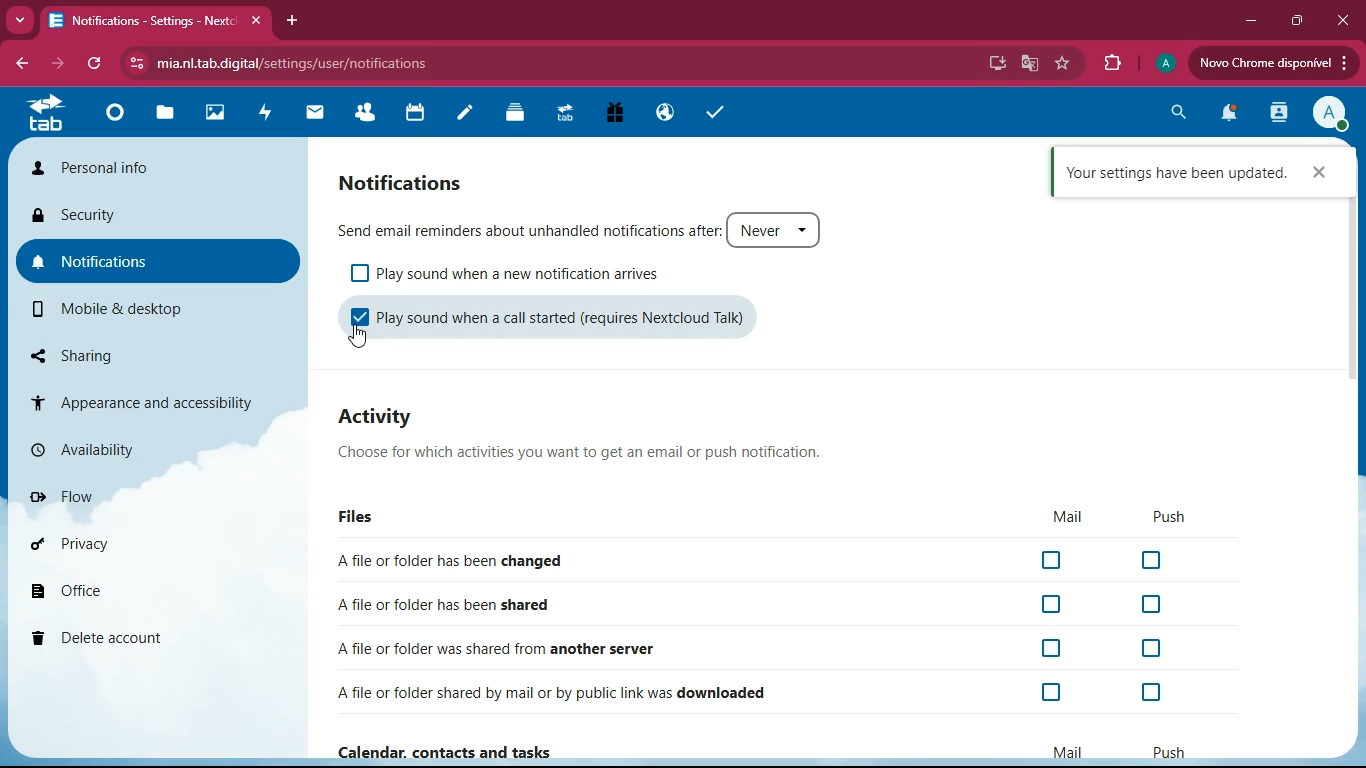 The height and width of the screenshot is (768, 1366). Describe the element at coordinates (449, 750) in the screenshot. I see `Calendar ` at that location.